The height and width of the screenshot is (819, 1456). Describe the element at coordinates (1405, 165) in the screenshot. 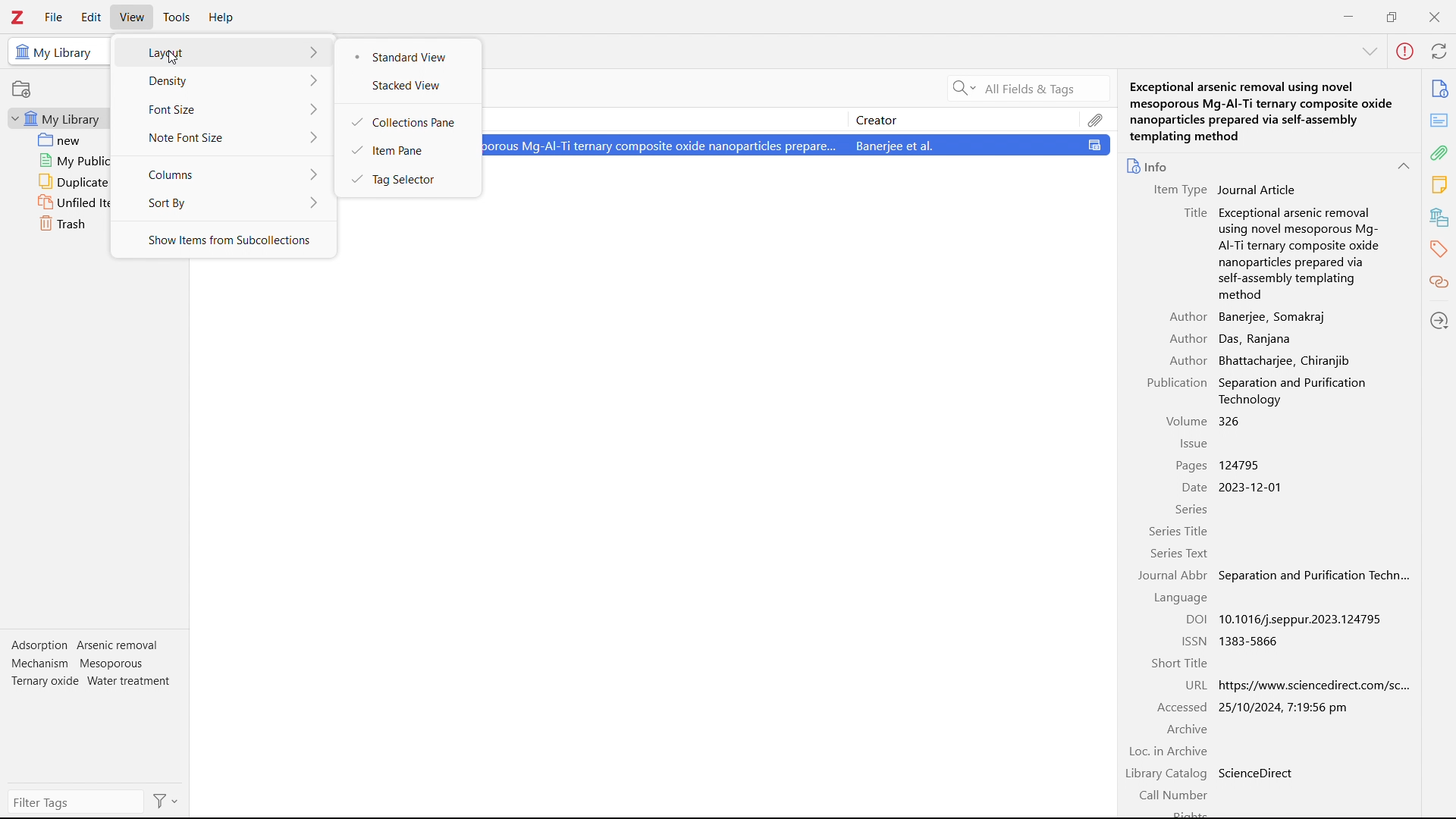

I see `collapse info` at that location.